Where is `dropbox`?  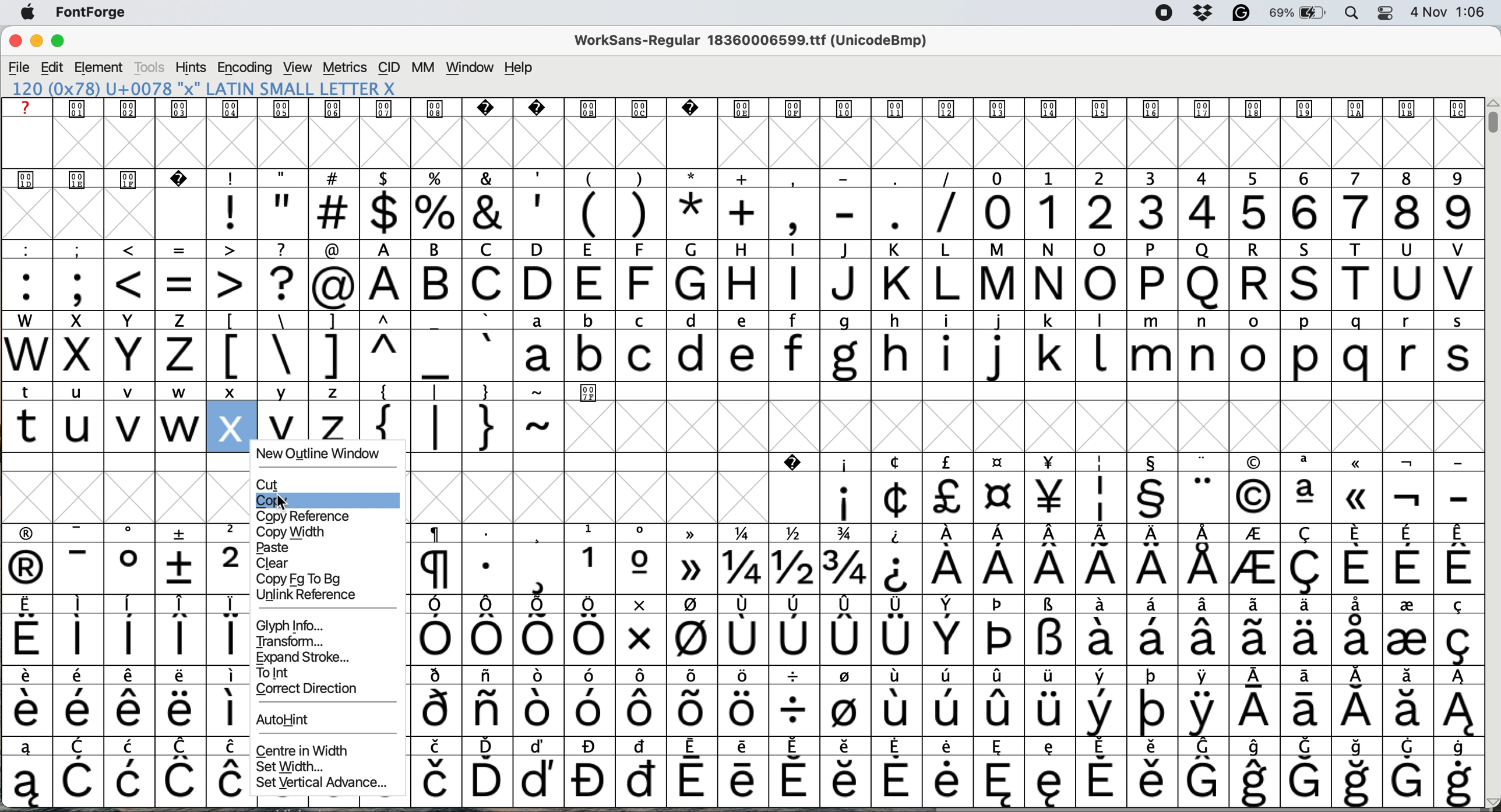 dropbox is located at coordinates (1201, 13).